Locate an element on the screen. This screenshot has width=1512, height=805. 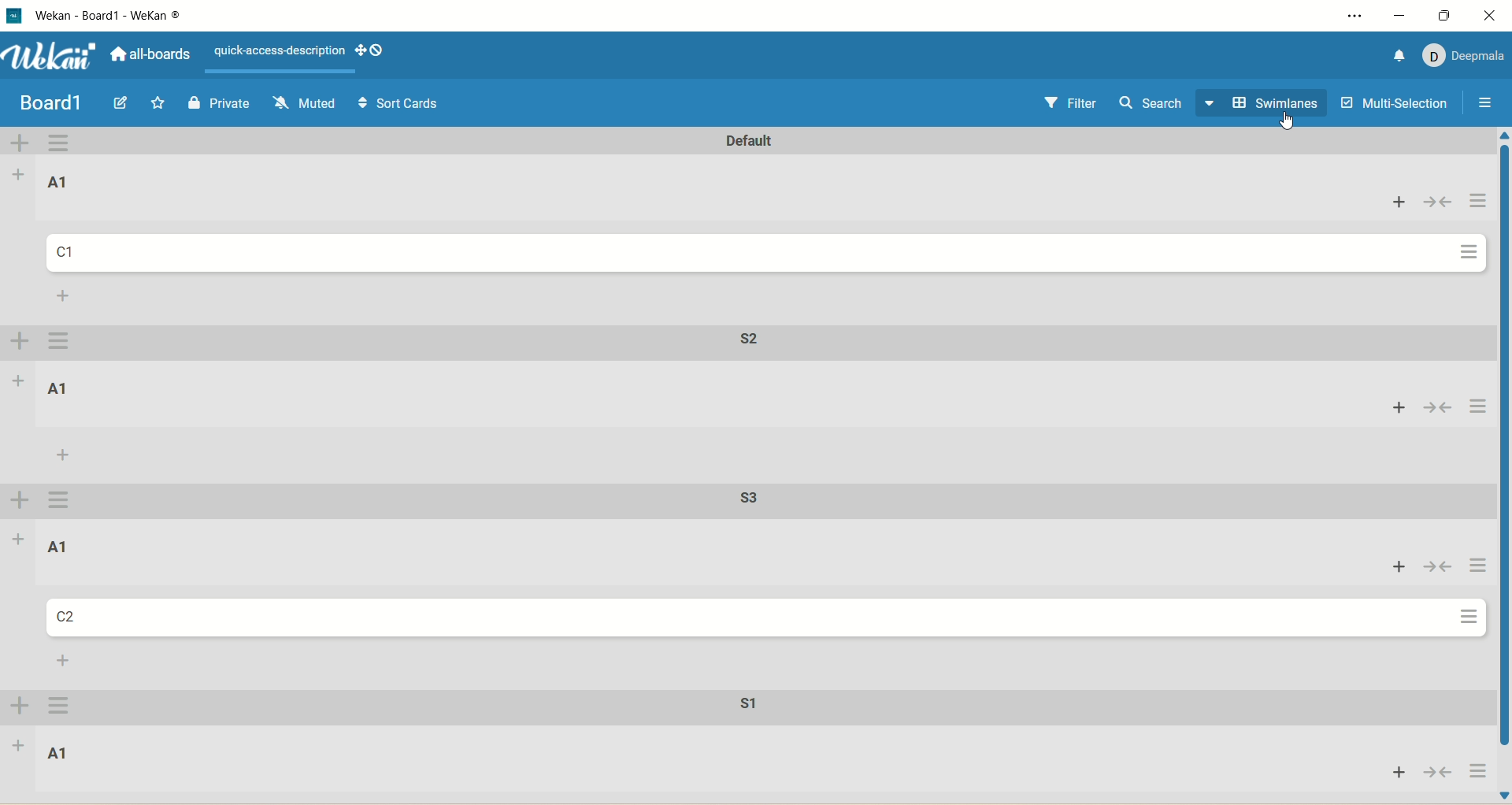
actions is located at coordinates (1477, 771).